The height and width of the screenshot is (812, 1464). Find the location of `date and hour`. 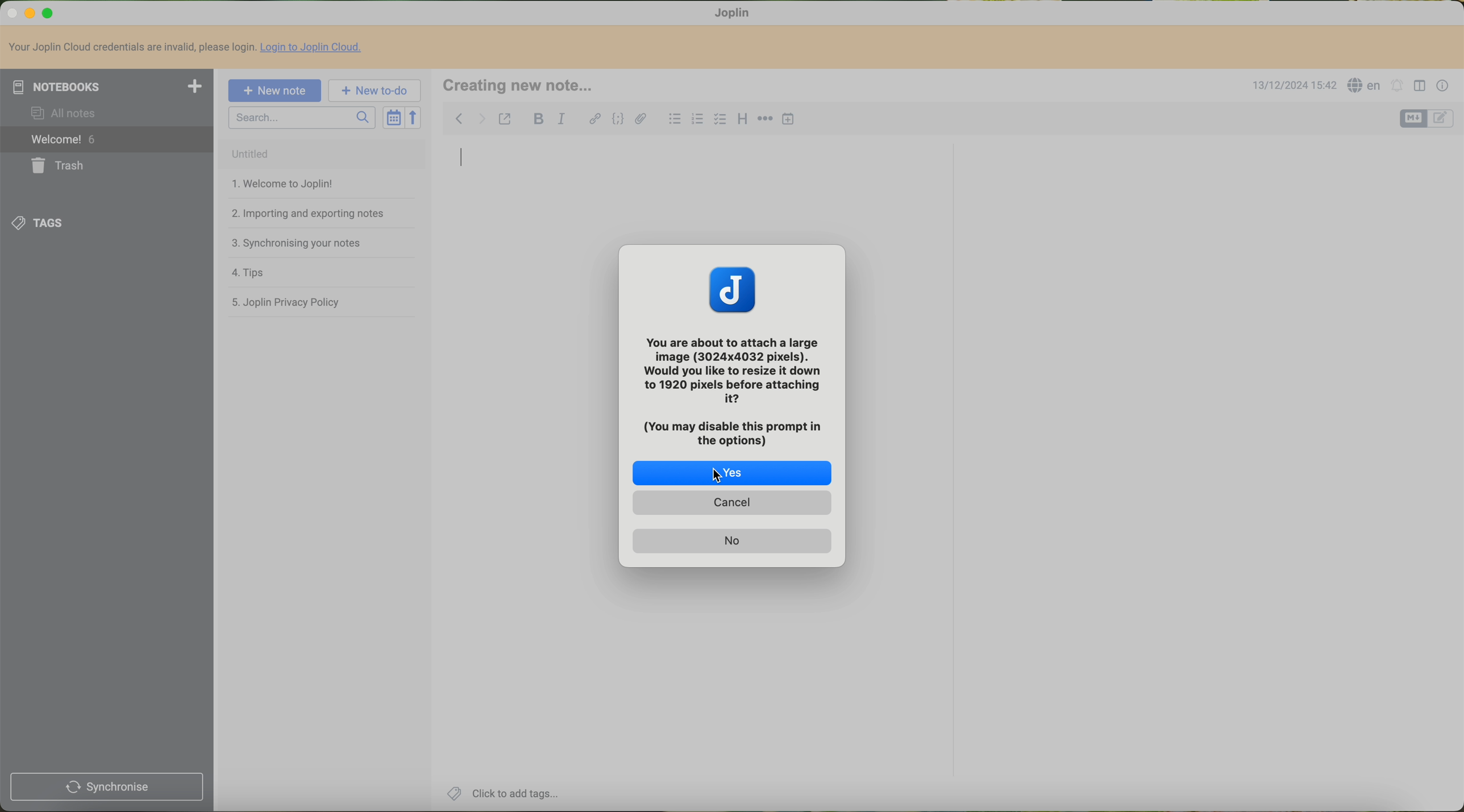

date and hour is located at coordinates (1292, 86).